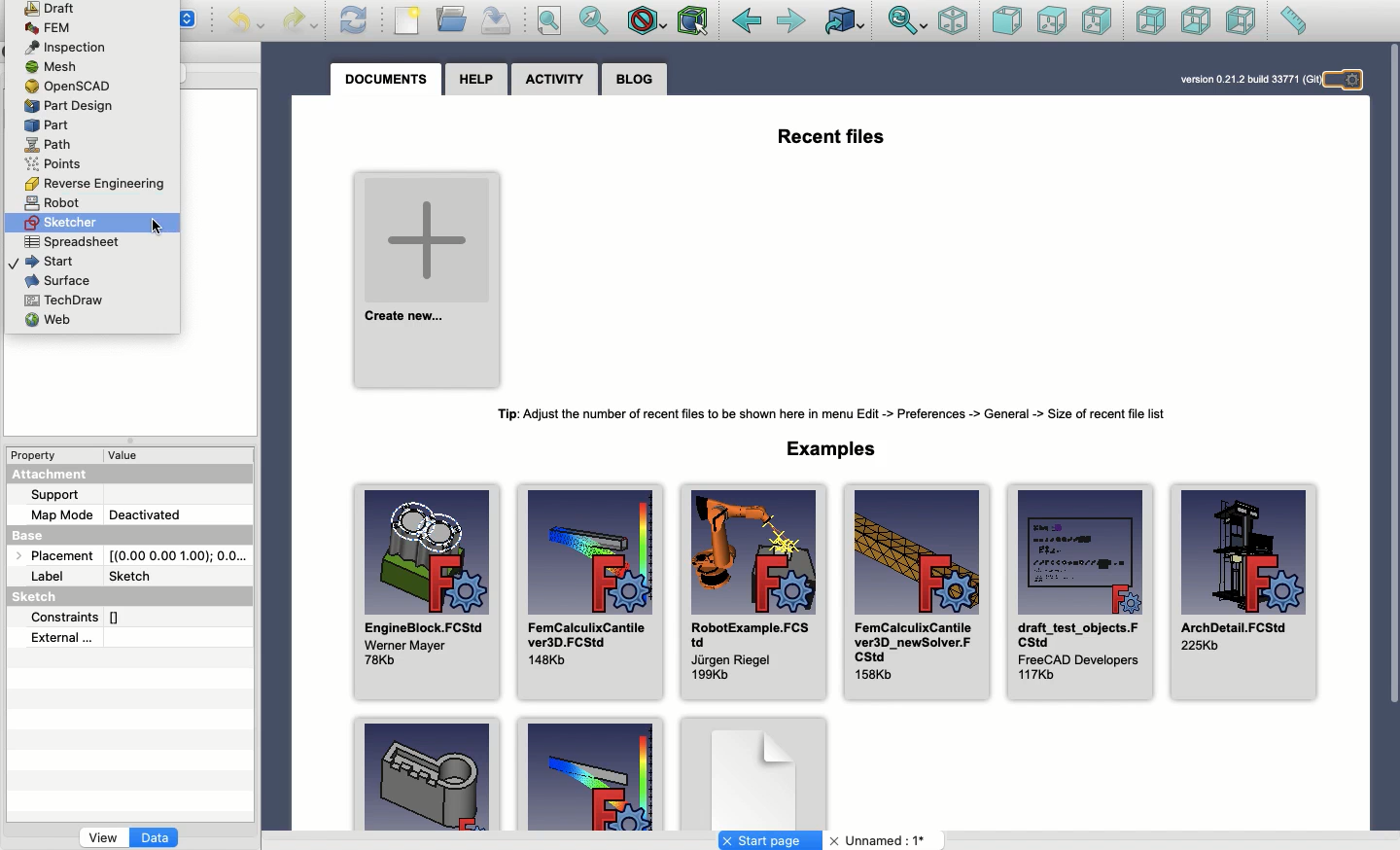 The height and width of the screenshot is (850, 1400). I want to click on Reverse engineering, so click(90, 182).